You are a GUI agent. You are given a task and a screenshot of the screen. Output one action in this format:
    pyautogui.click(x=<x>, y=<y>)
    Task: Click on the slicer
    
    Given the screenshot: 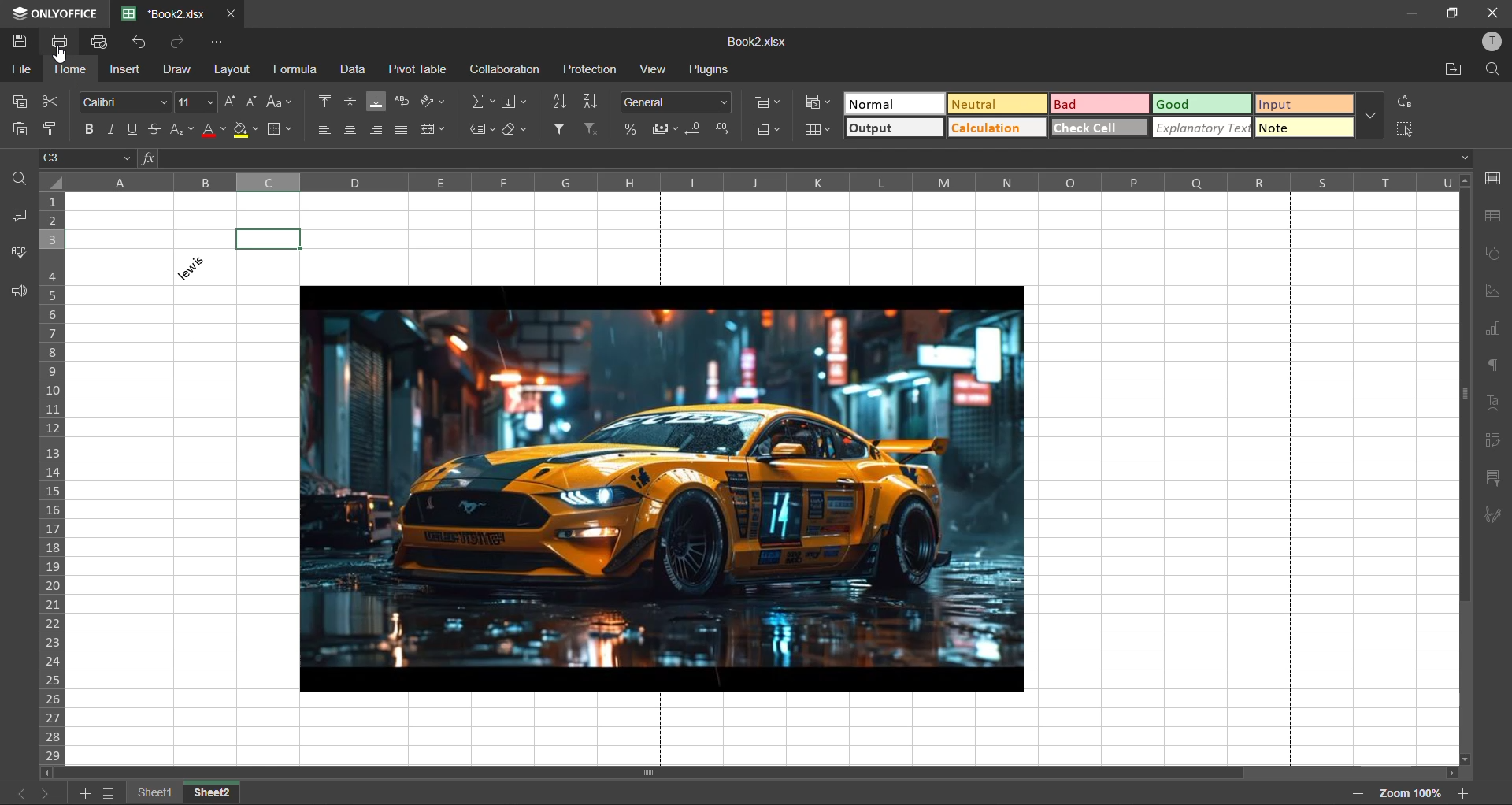 What is the action you would take?
    pyautogui.click(x=1494, y=480)
    